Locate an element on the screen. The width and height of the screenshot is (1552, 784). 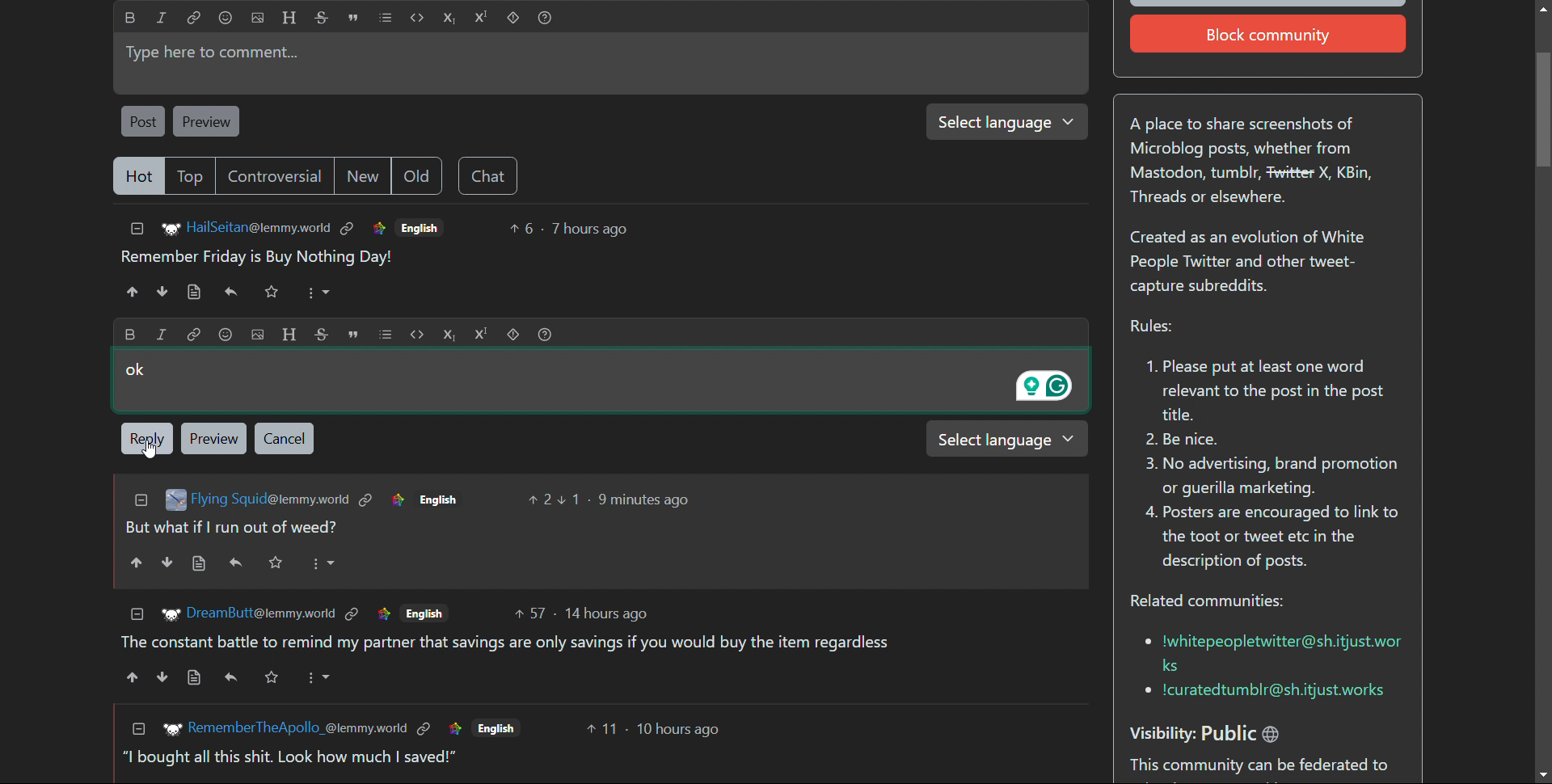
quote is located at coordinates (356, 332).